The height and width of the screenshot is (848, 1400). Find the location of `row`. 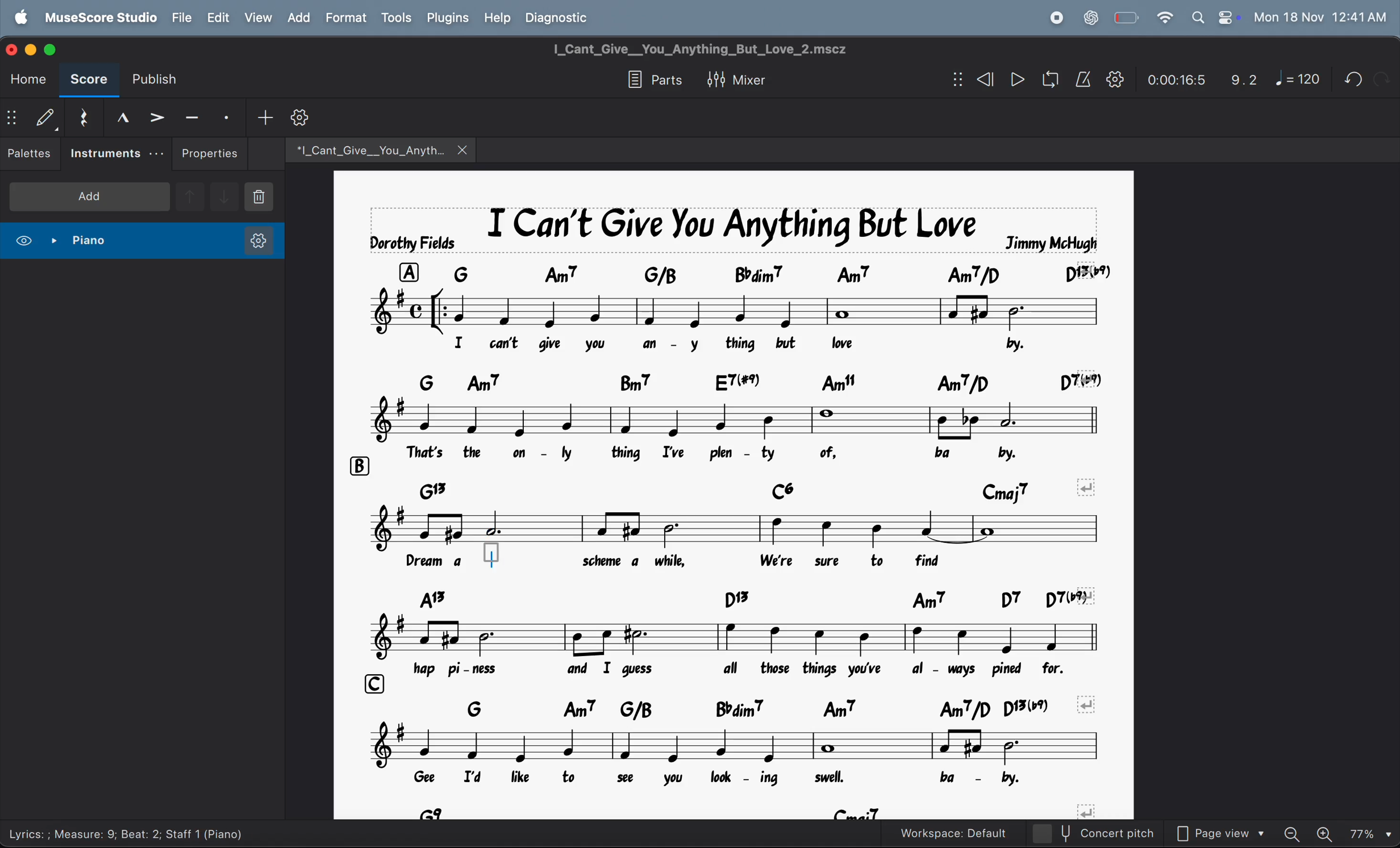

row is located at coordinates (409, 274).